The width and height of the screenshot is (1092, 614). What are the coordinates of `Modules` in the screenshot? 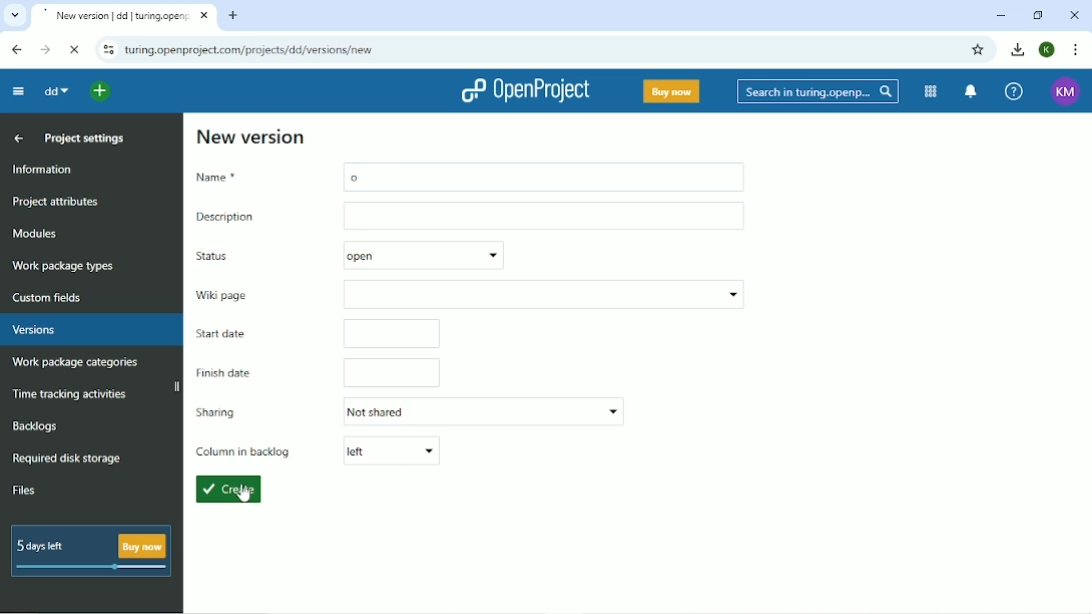 It's located at (36, 233).